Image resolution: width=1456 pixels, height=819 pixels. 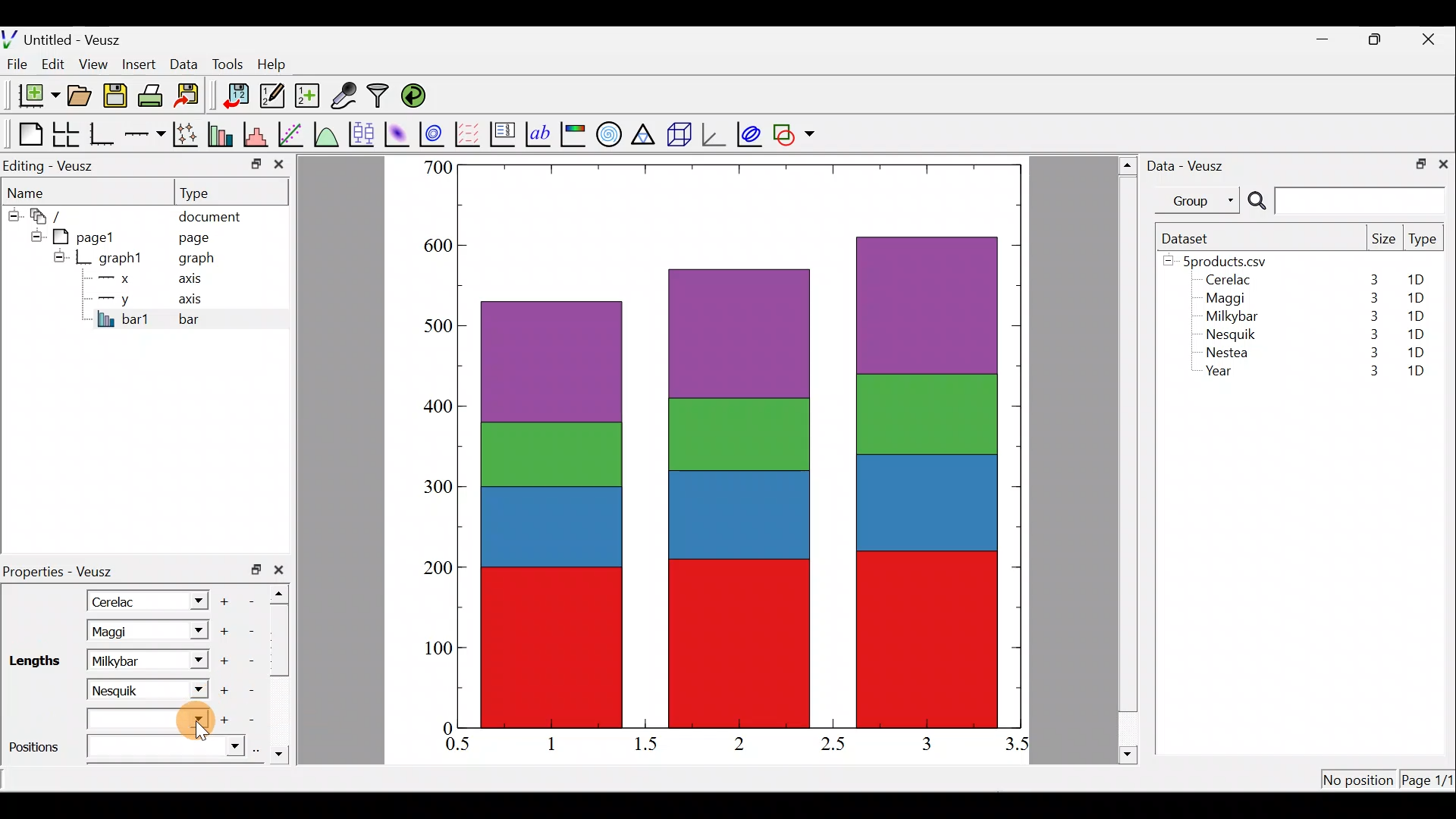 What do you see at coordinates (53, 63) in the screenshot?
I see `Edit` at bounding box center [53, 63].